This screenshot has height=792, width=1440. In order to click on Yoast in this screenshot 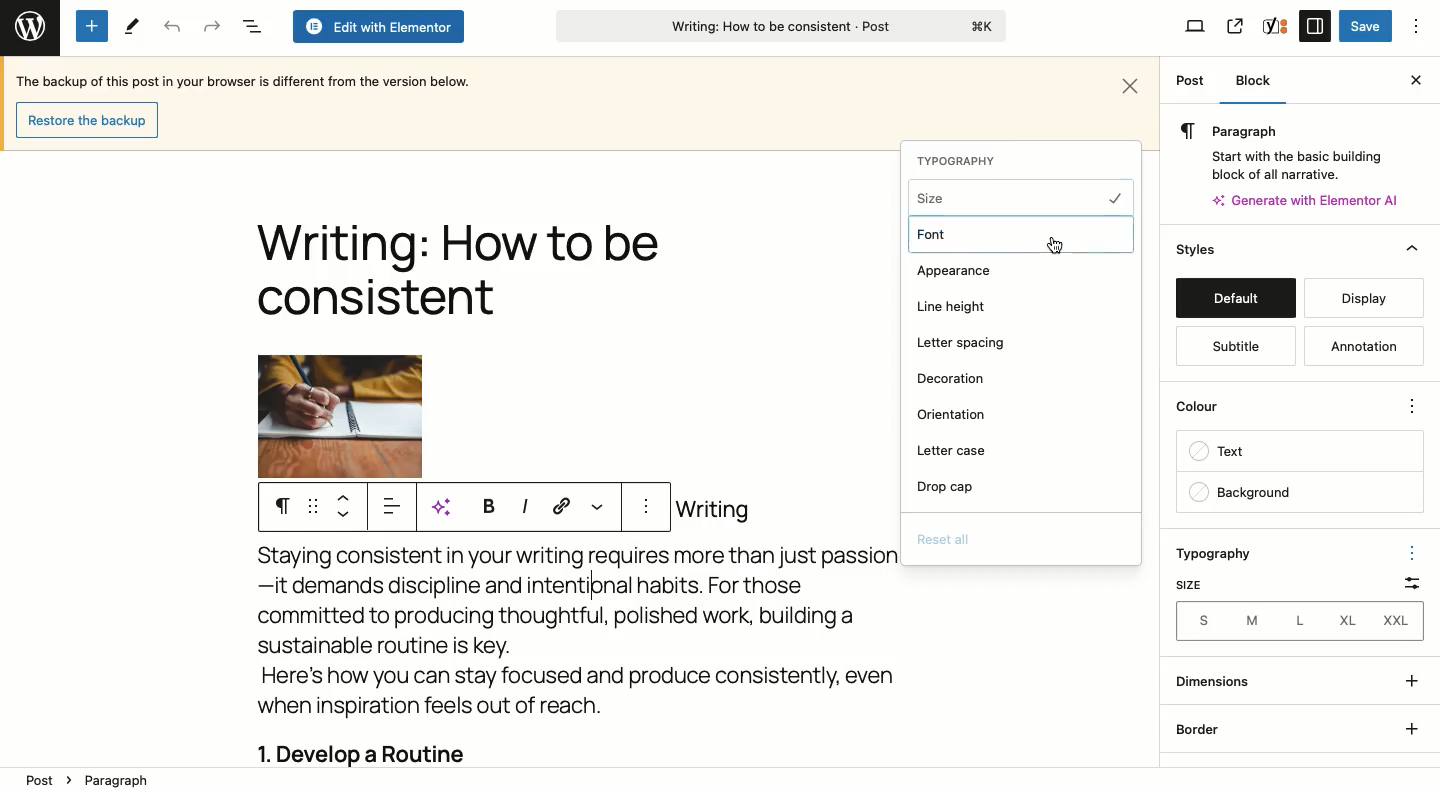, I will do `click(1276, 25)`.